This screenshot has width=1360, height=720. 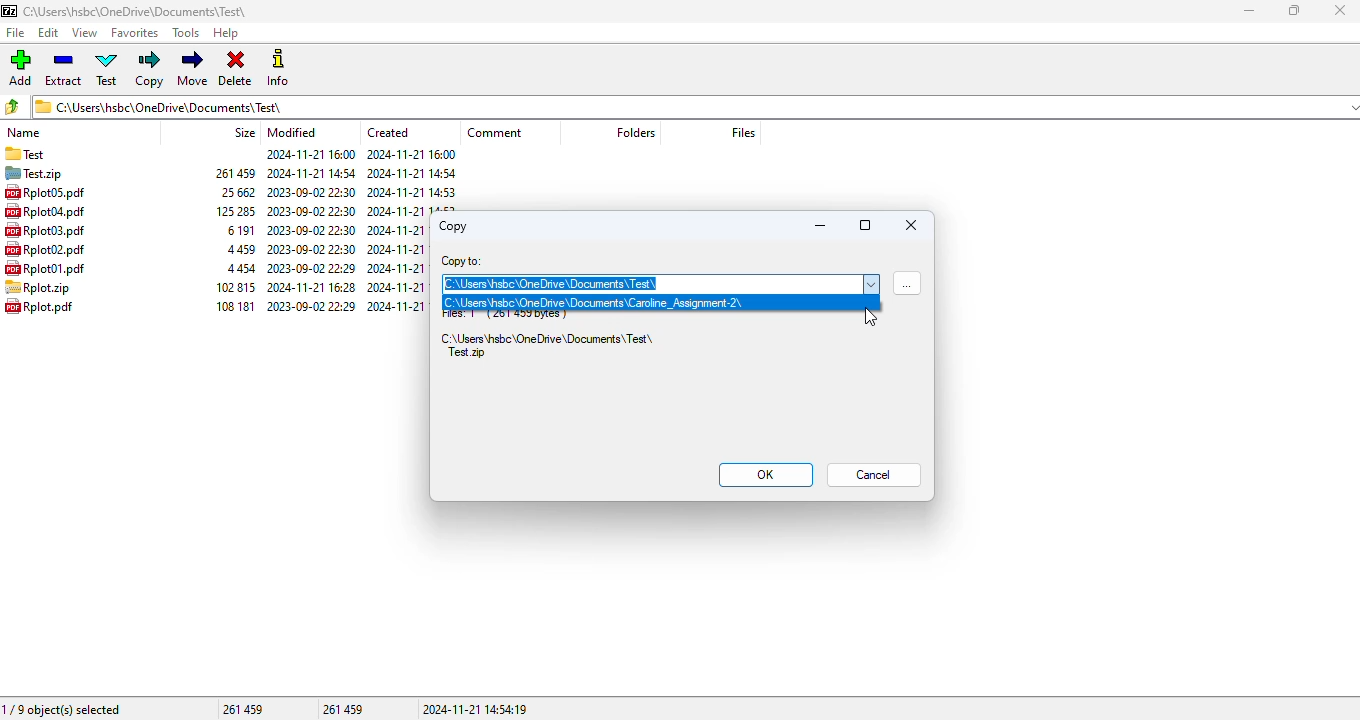 I want to click on size, so click(x=236, y=287).